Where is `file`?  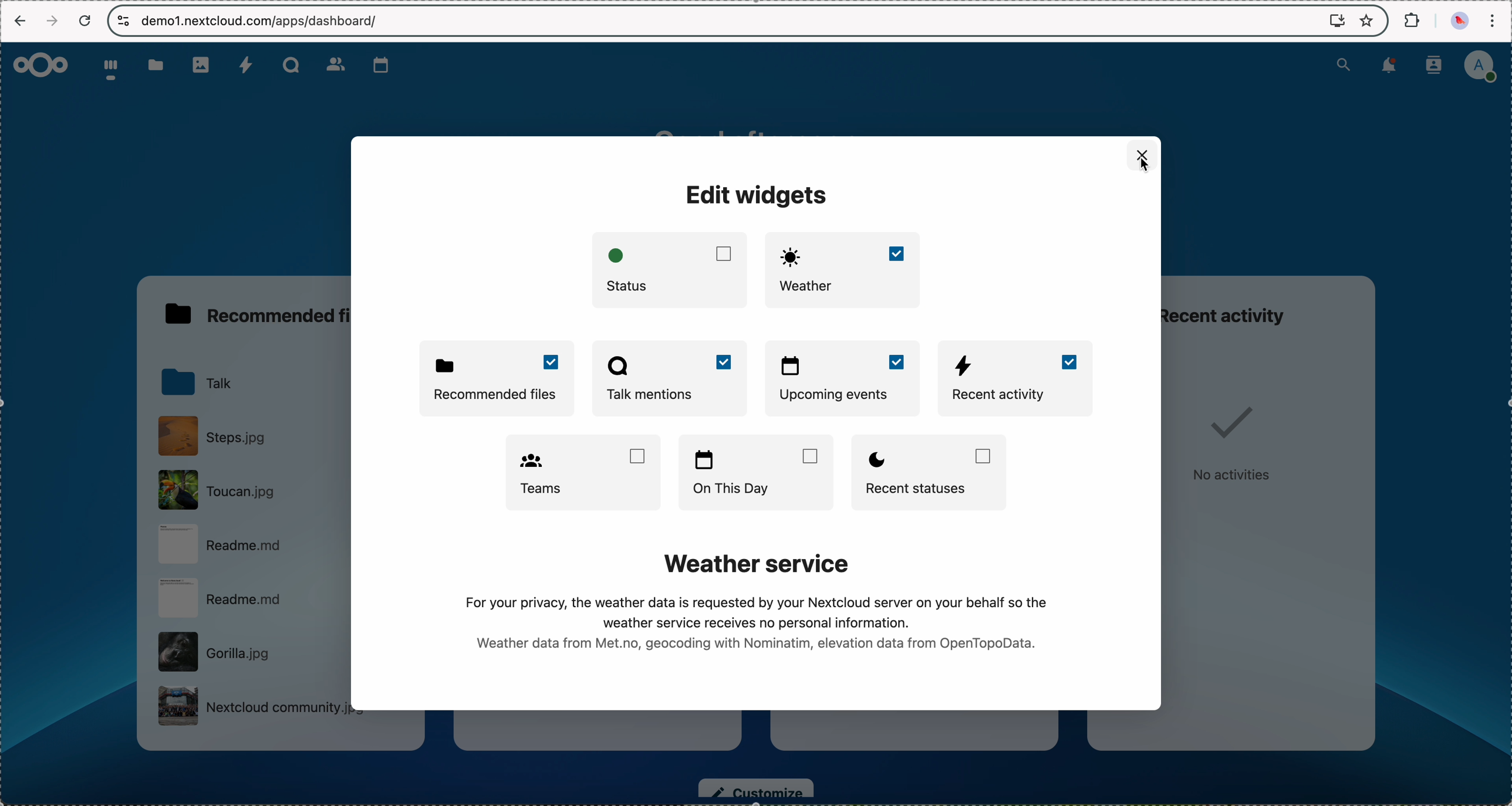 file is located at coordinates (248, 649).